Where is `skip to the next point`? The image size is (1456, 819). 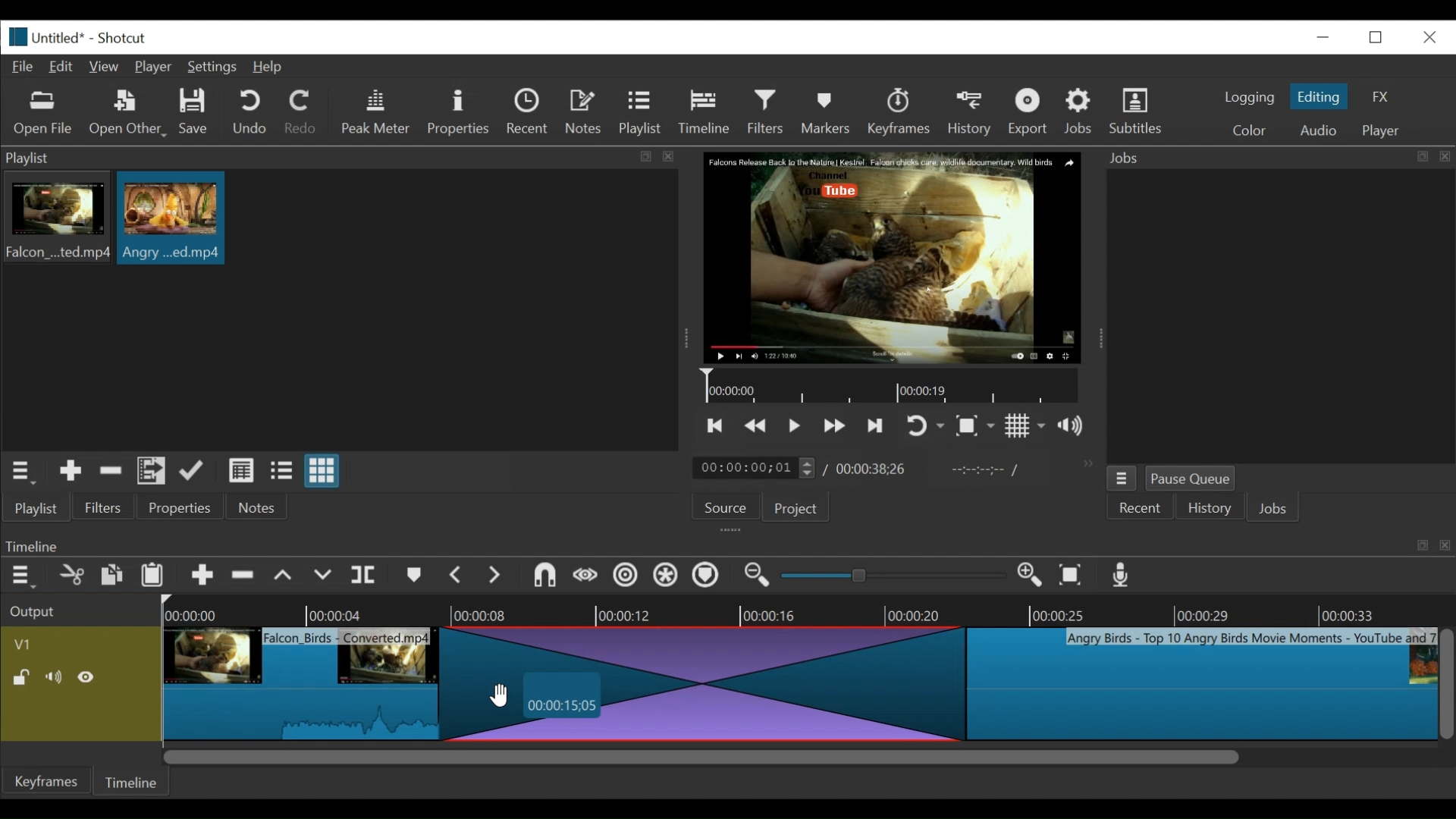
skip to the next point is located at coordinates (877, 425).